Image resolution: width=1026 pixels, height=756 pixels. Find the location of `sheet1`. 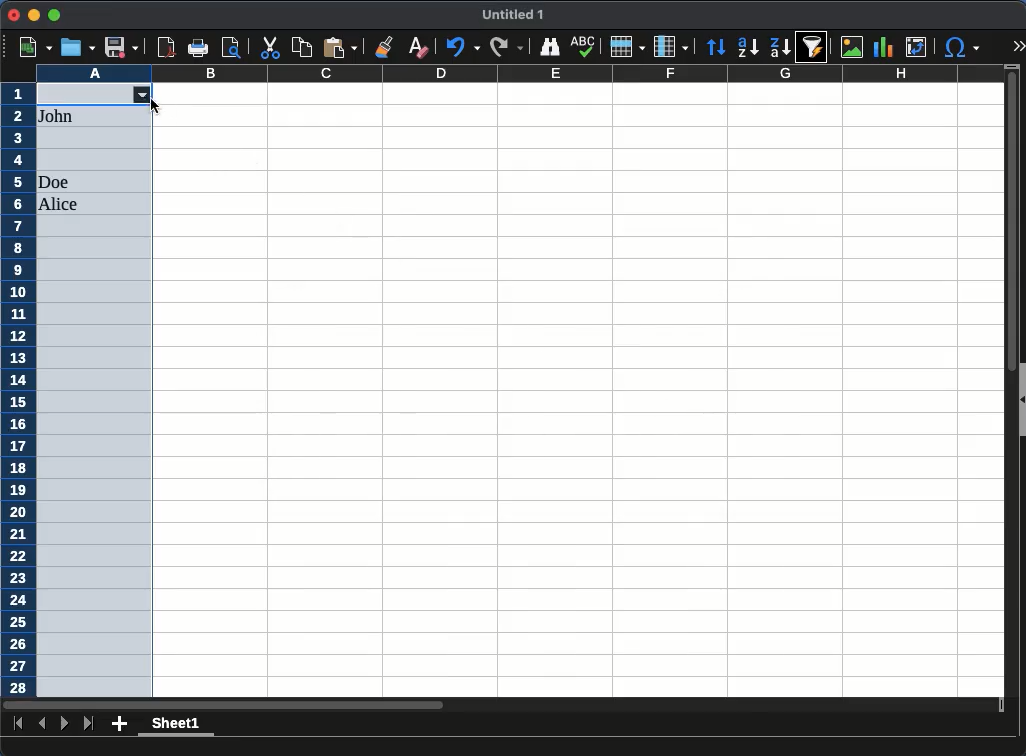

sheet1 is located at coordinates (174, 726).